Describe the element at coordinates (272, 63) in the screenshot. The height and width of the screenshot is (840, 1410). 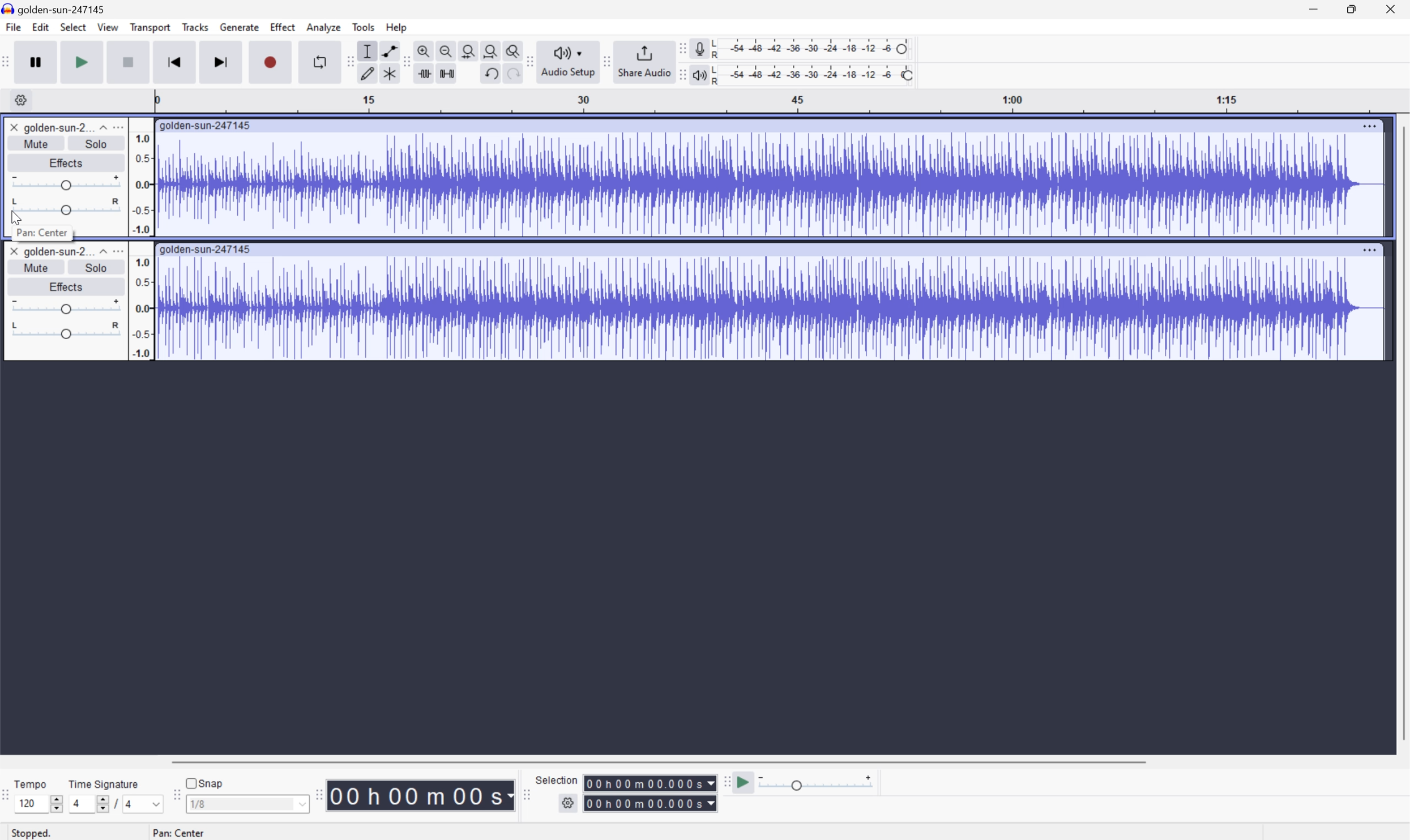
I see `Record / Record new track` at that location.